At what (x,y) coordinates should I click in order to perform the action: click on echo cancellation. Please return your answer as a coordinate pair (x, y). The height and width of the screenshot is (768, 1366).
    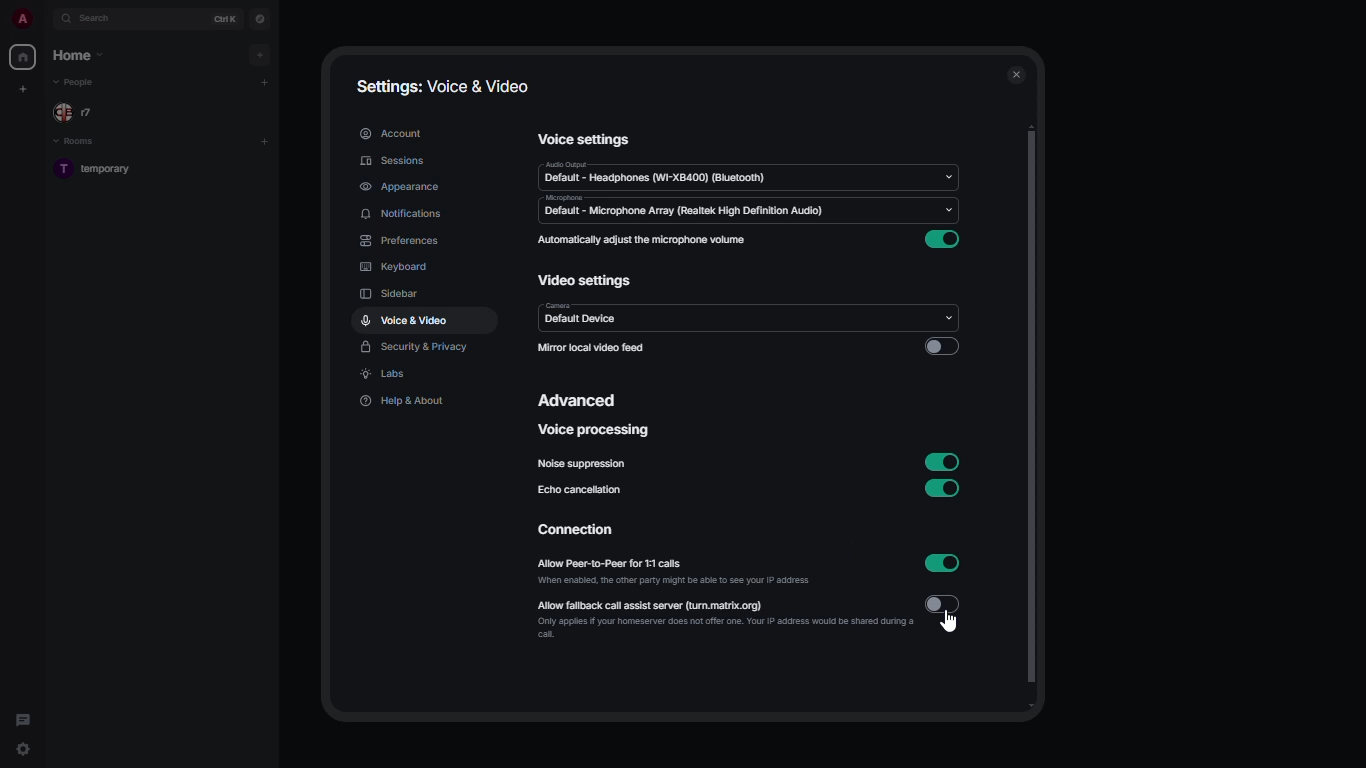
    Looking at the image, I should click on (581, 493).